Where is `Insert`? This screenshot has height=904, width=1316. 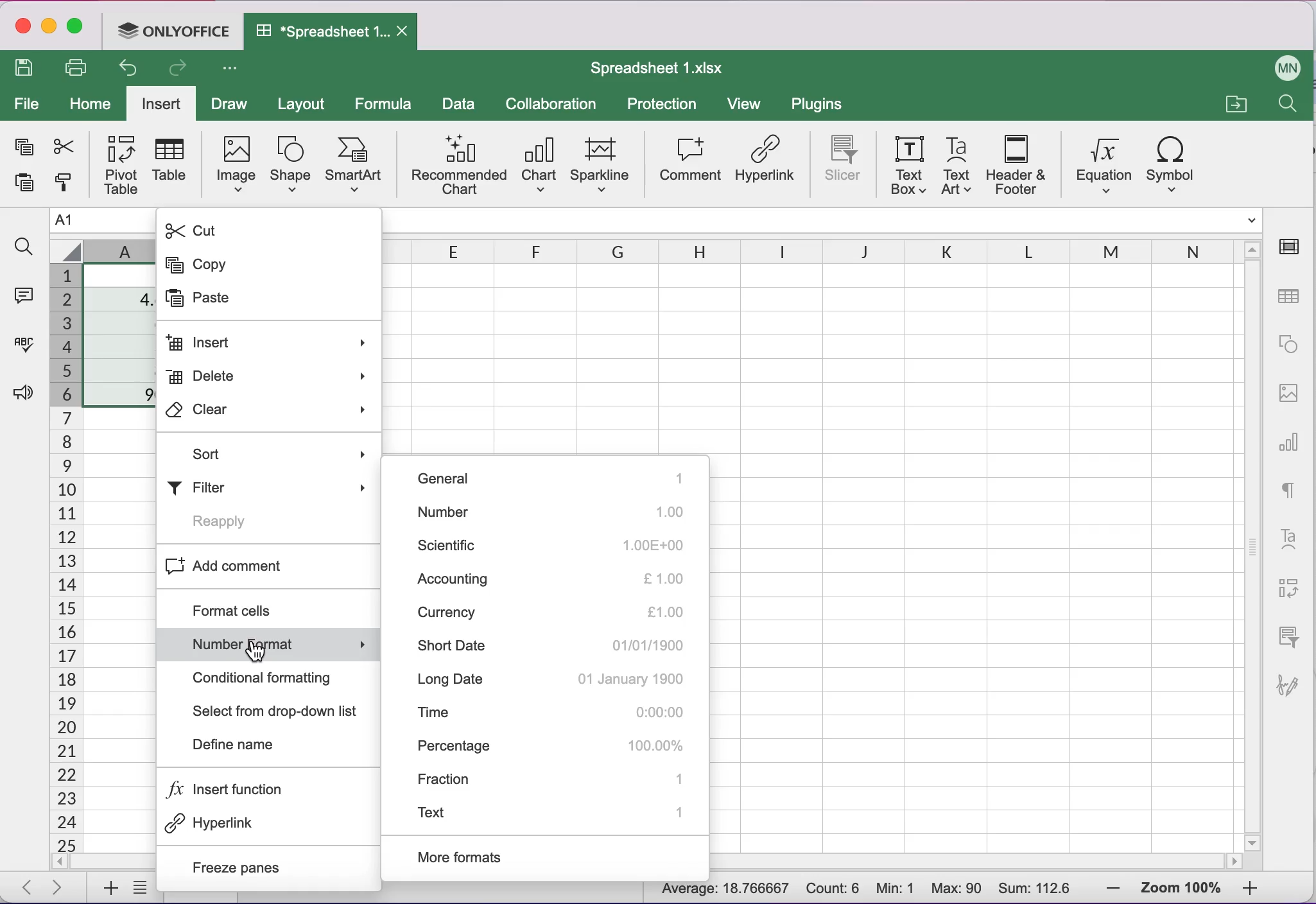 Insert is located at coordinates (272, 345).